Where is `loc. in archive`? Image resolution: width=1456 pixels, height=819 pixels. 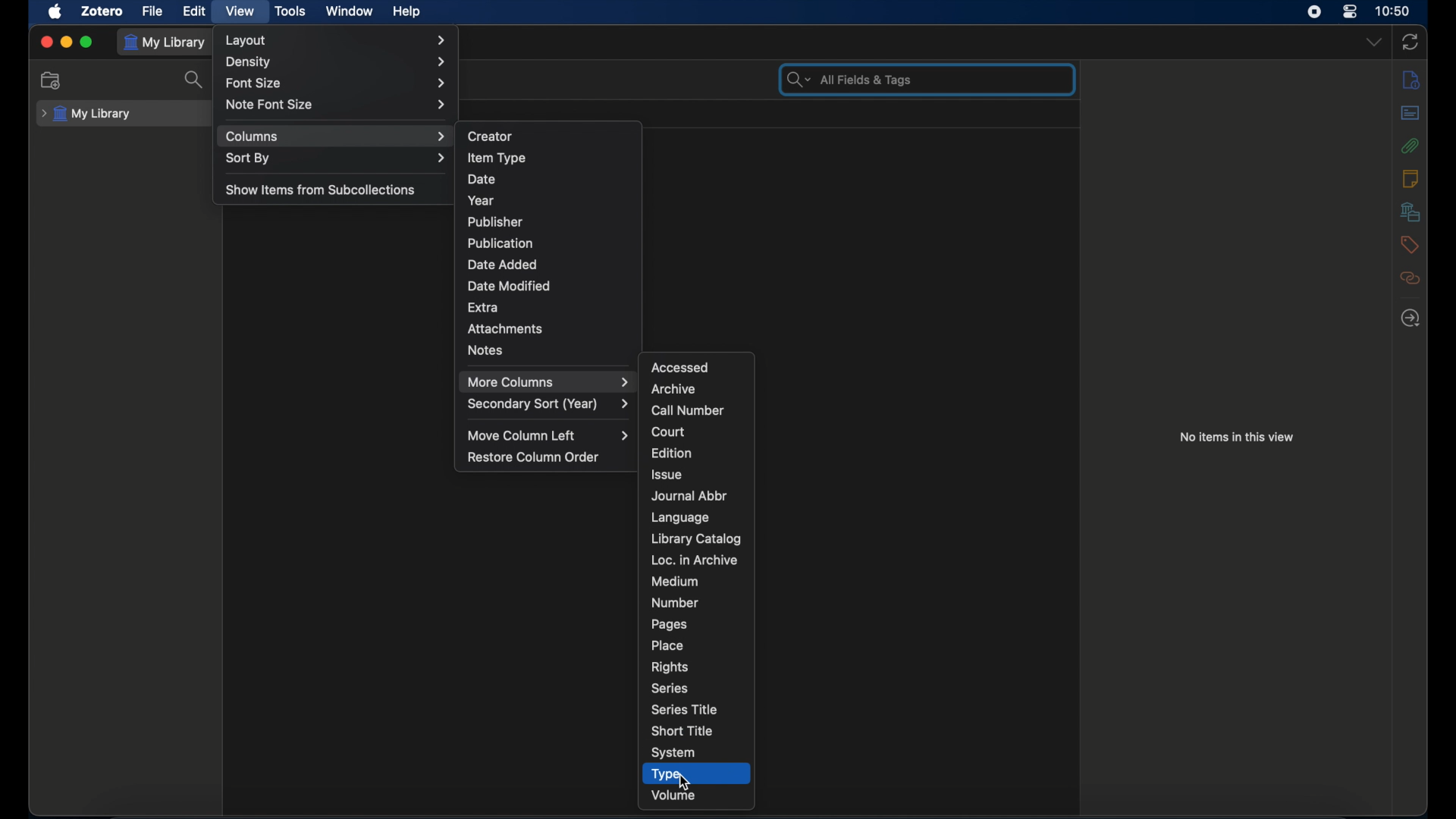
loc. in archive is located at coordinates (696, 560).